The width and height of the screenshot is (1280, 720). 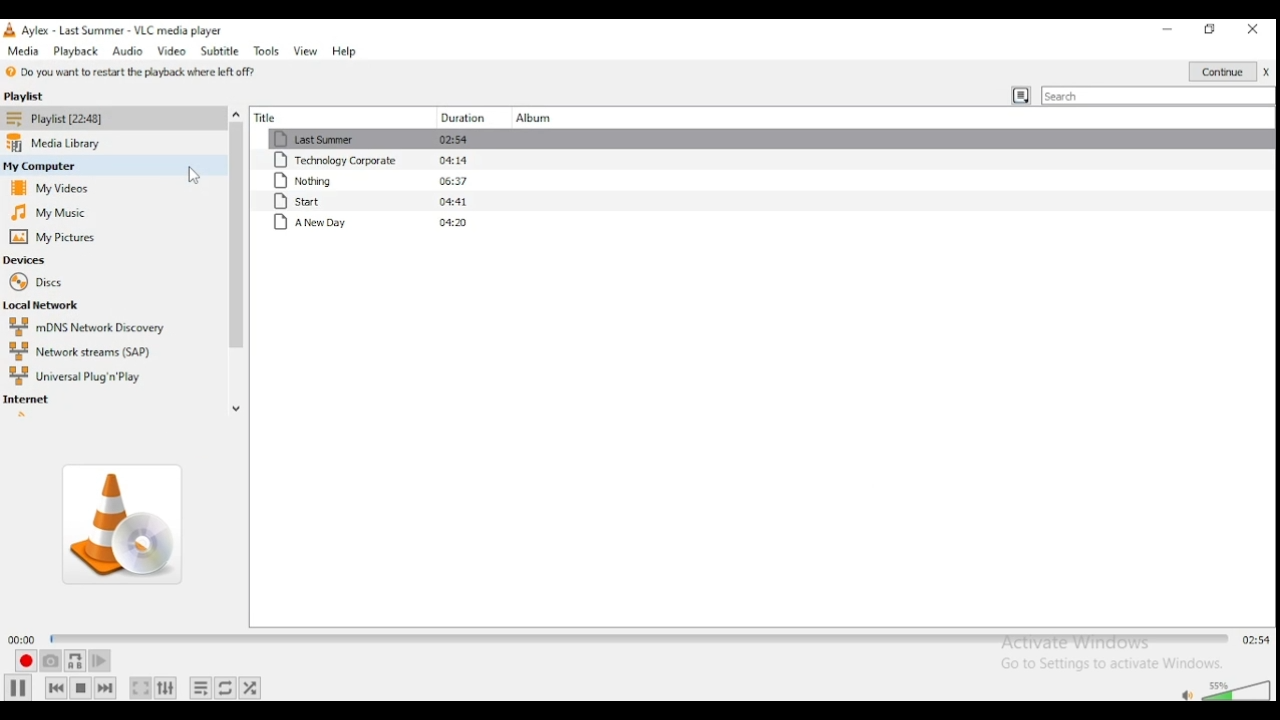 What do you see at coordinates (226, 687) in the screenshot?
I see `select between loop all, loop one, and no loop` at bounding box center [226, 687].